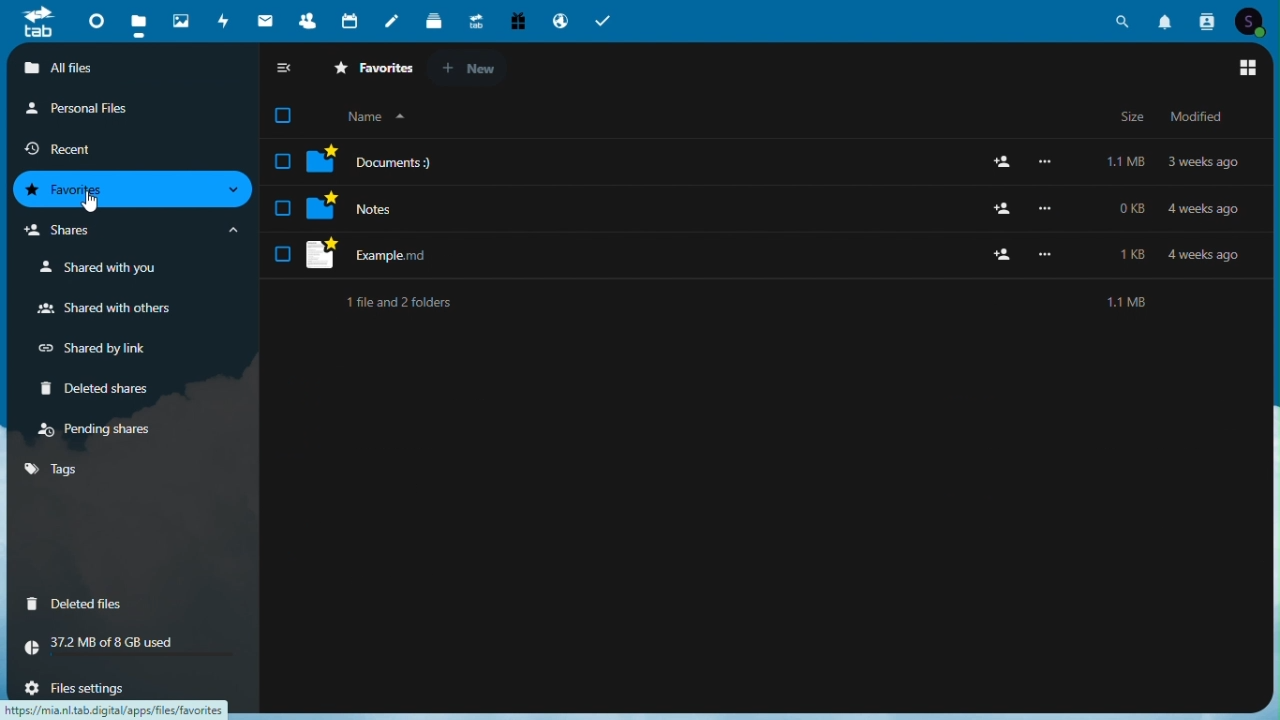 Image resolution: width=1280 pixels, height=720 pixels. I want to click on deck, so click(434, 19).